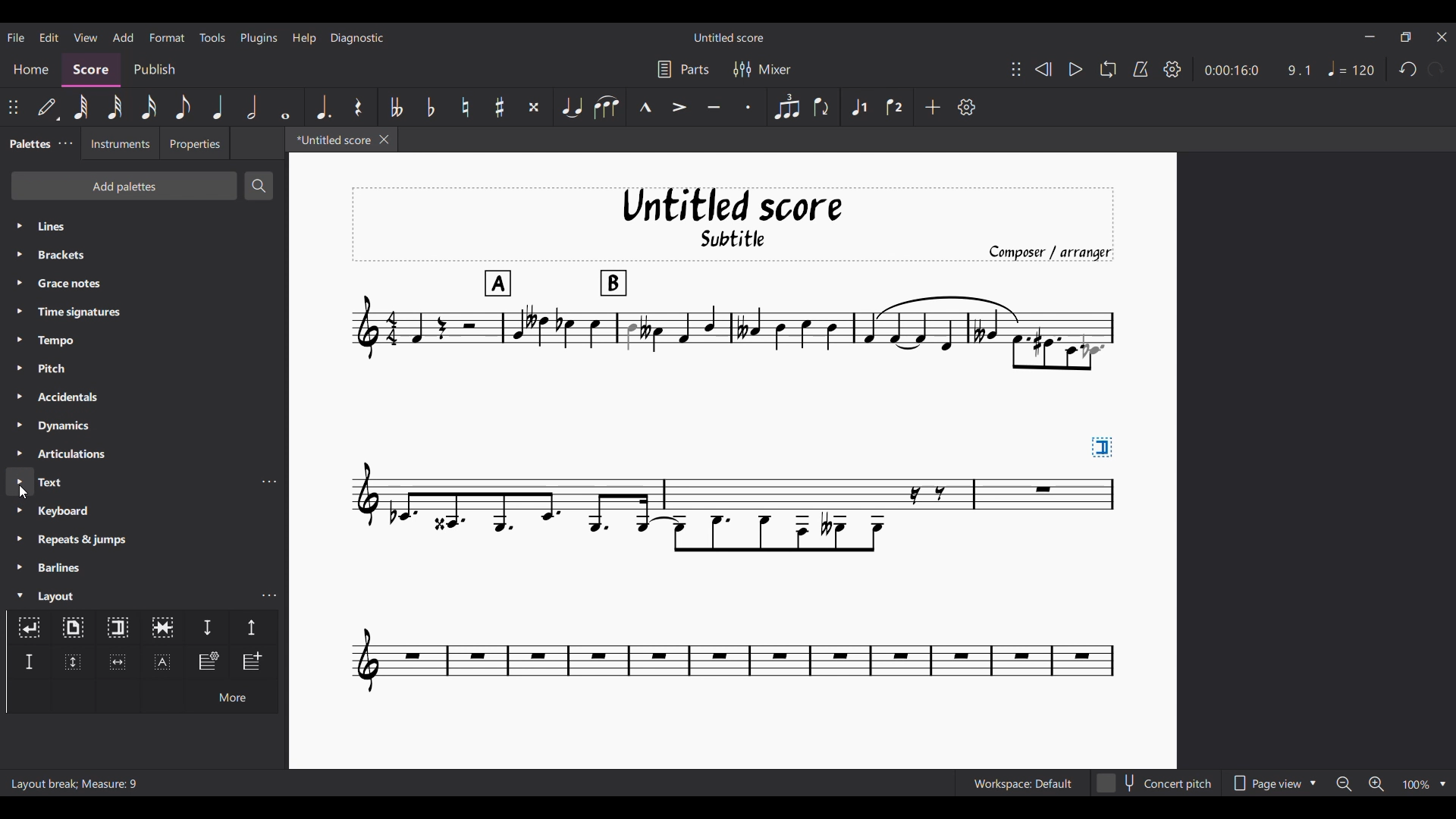  What do you see at coordinates (124, 37) in the screenshot?
I see `Add menu` at bounding box center [124, 37].